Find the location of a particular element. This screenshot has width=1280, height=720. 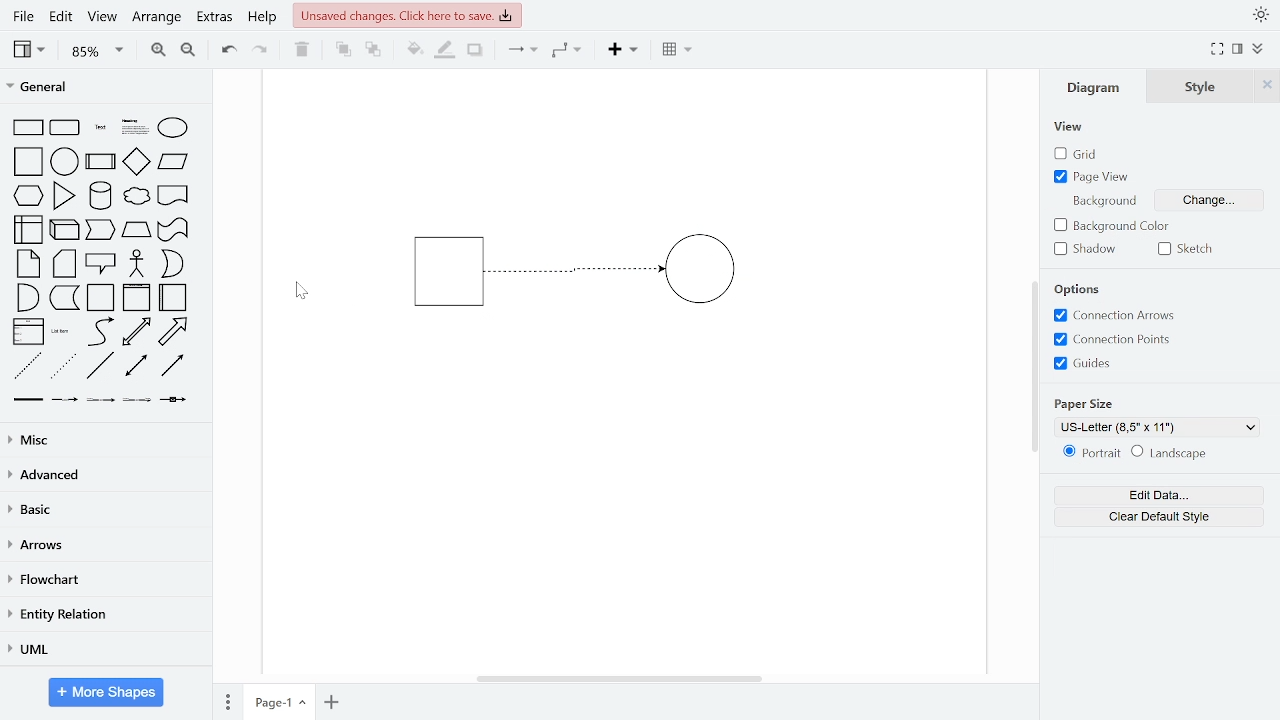

style is located at coordinates (1198, 87).